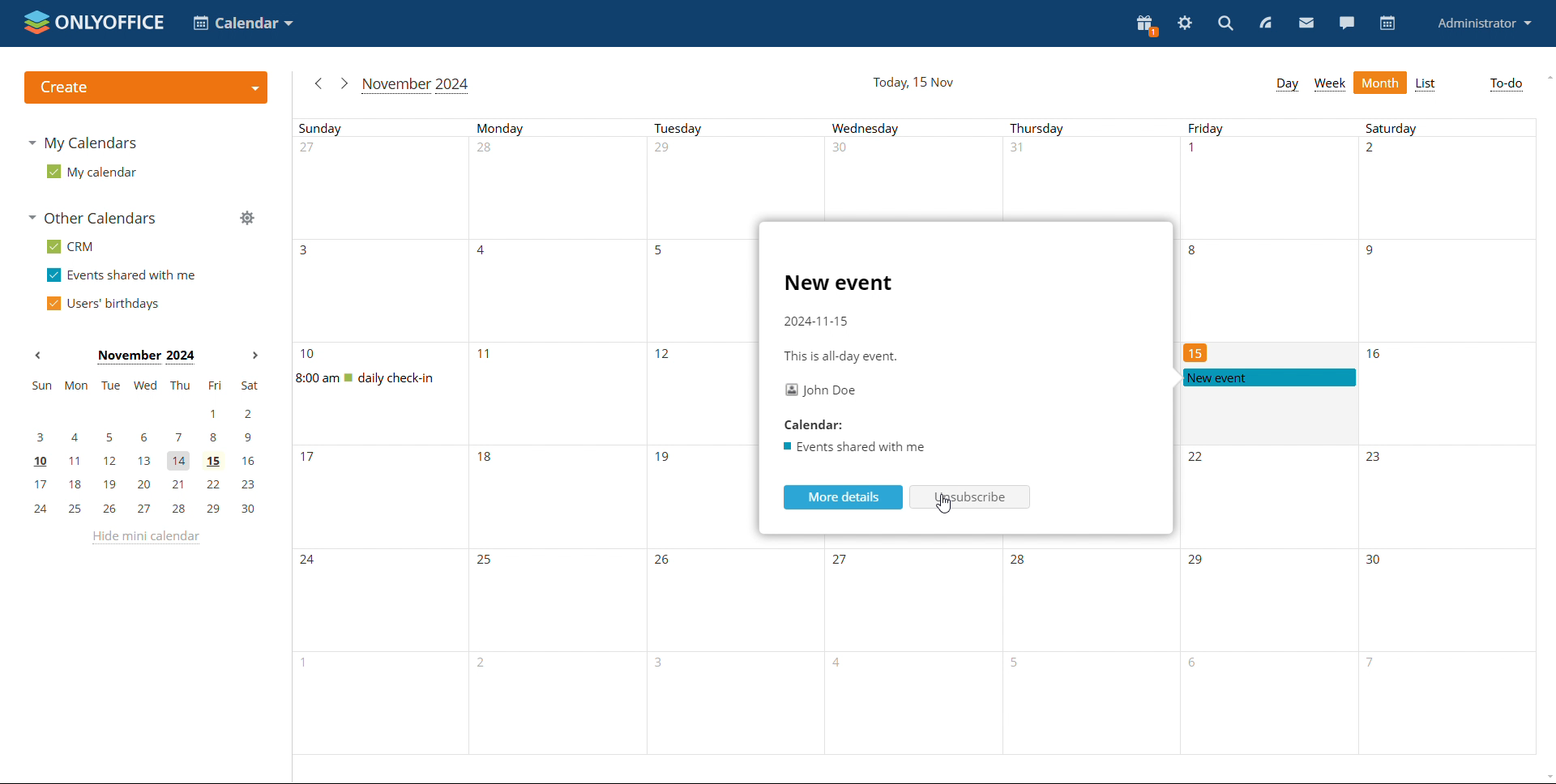  What do you see at coordinates (1089, 128) in the screenshot?
I see `individual day` at bounding box center [1089, 128].